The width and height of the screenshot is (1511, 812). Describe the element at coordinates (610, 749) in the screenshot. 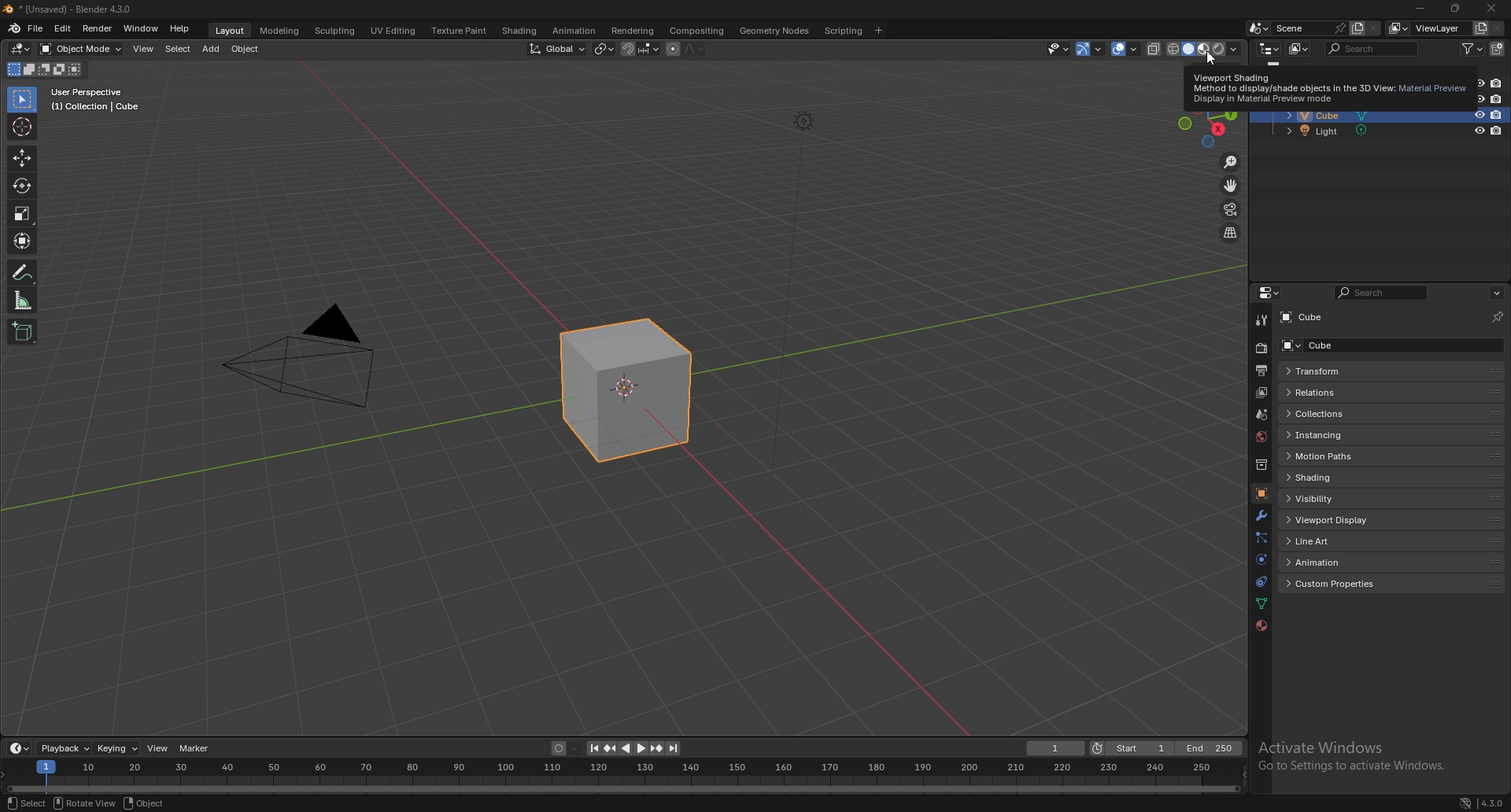

I see `jump to previous keyframe` at that location.